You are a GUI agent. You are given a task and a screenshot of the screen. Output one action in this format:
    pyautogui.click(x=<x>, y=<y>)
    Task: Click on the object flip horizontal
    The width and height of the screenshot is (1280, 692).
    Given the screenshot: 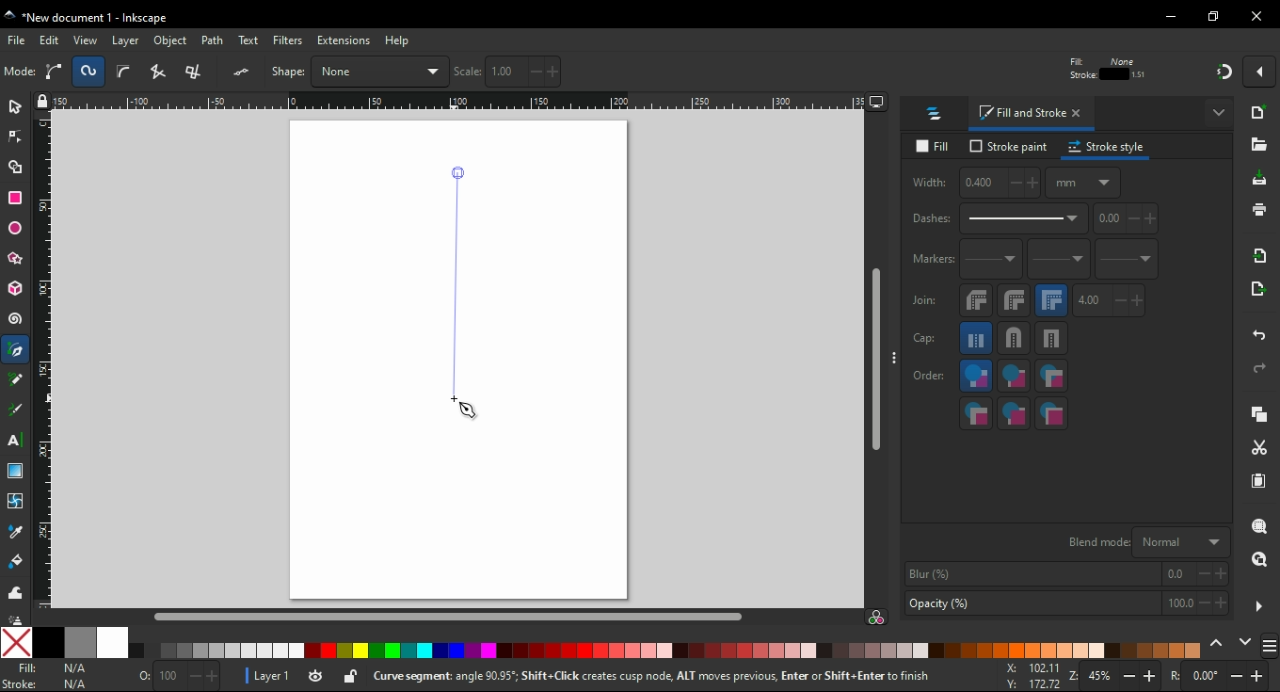 What is the action you would take?
    pyautogui.click(x=245, y=71)
    